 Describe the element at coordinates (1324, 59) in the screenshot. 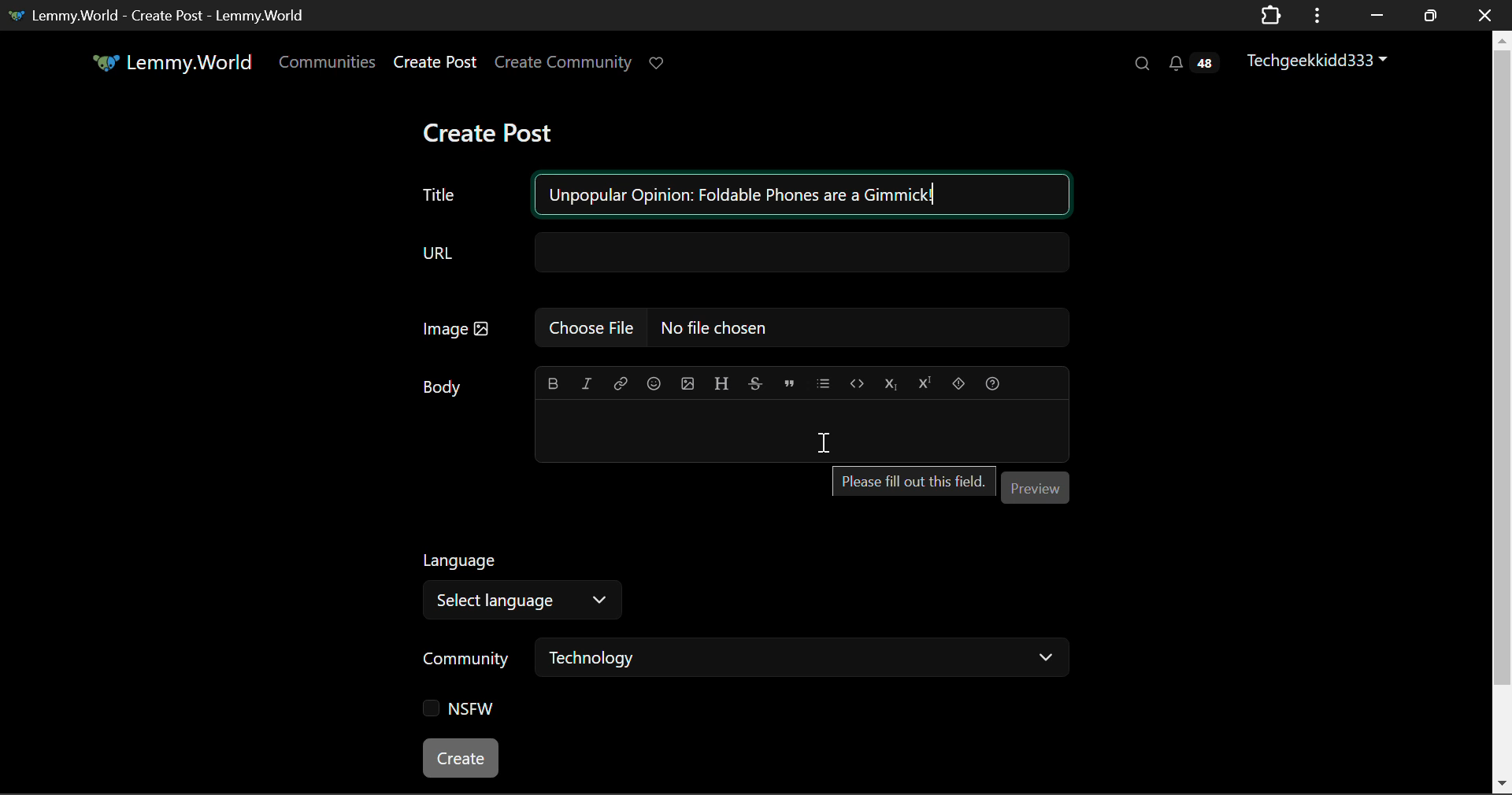

I see `Techgeekkidd333` at that location.